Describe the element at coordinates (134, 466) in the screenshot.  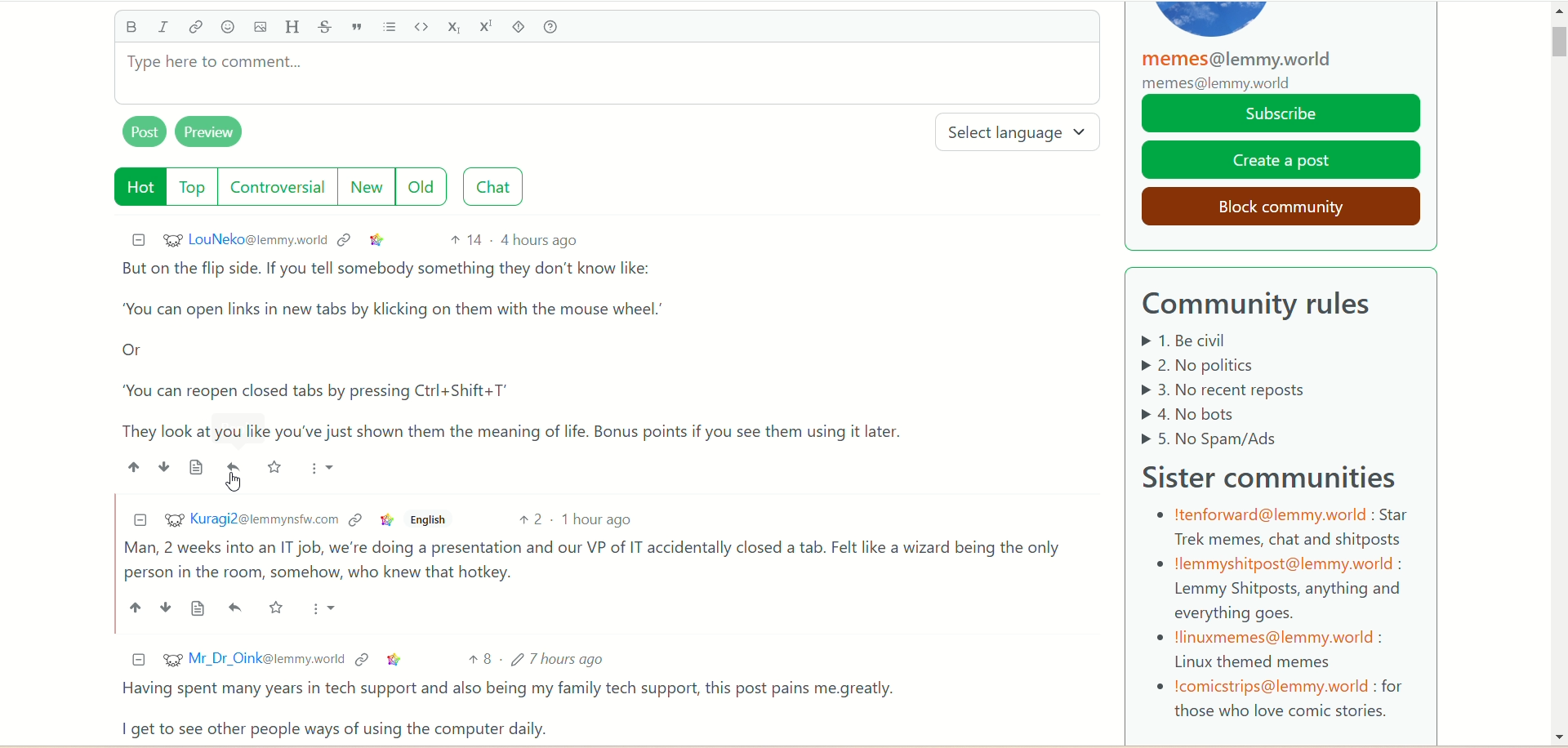
I see `upvote` at that location.